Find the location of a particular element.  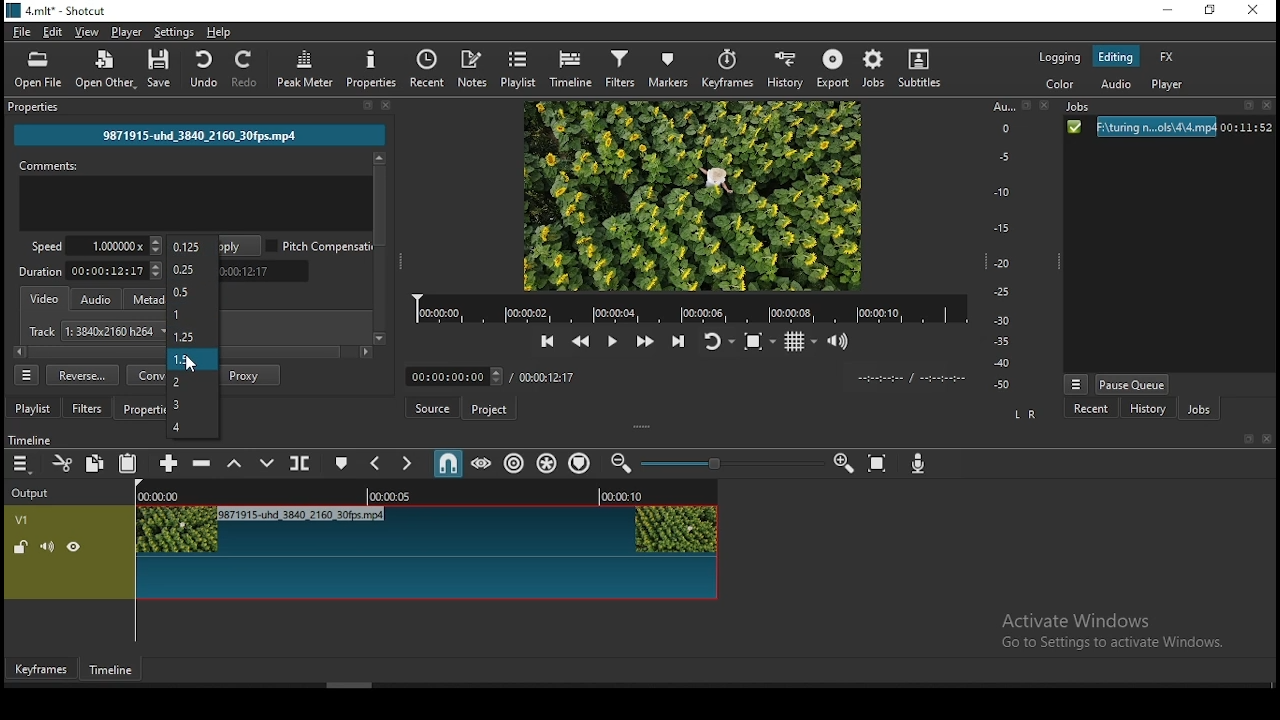

reverse is located at coordinates (83, 375).